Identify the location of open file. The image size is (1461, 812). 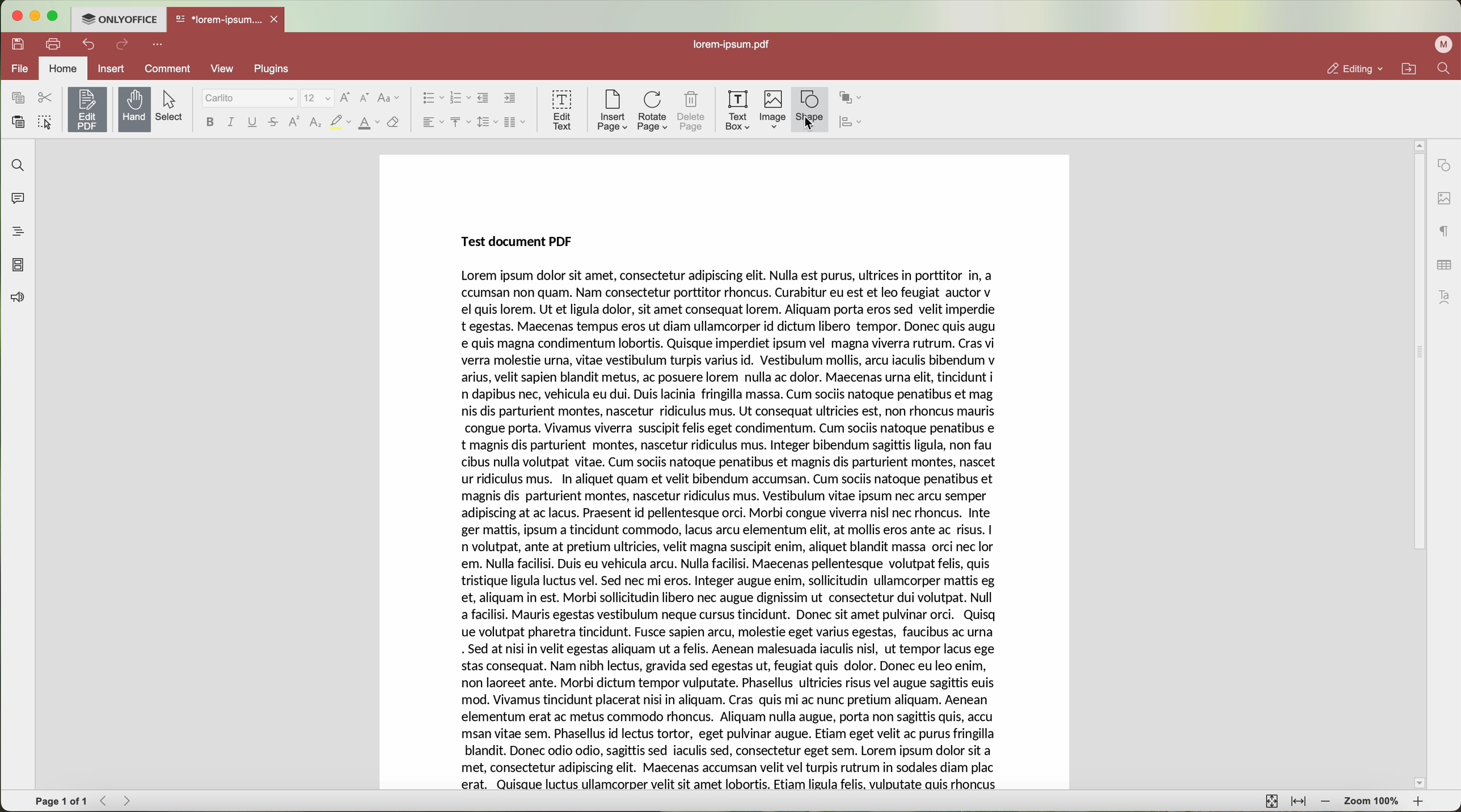
(227, 20).